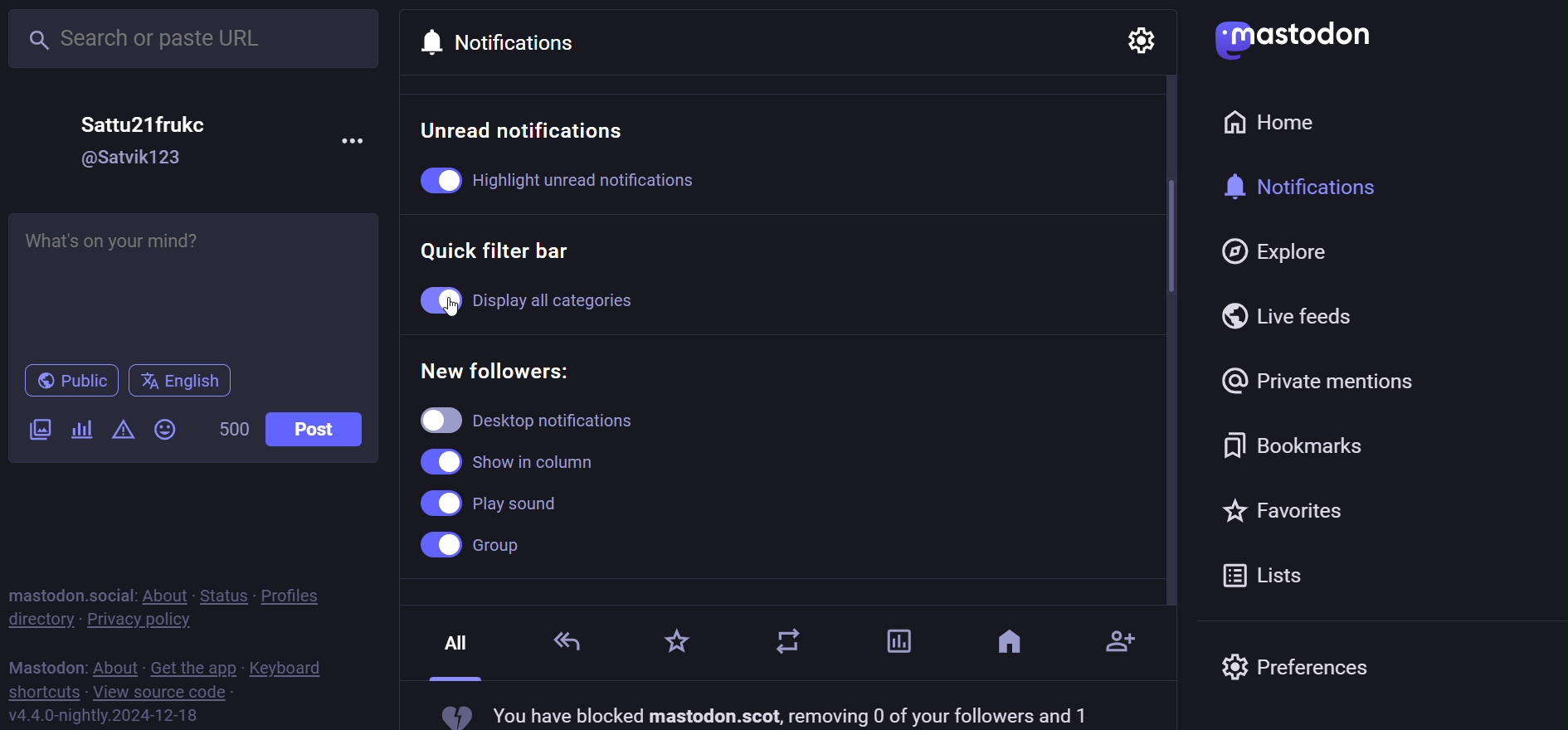 Image resolution: width=1568 pixels, height=730 pixels. Describe the element at coordinates (70, 592) in the screenshot. I see `mastodon social` at that location.